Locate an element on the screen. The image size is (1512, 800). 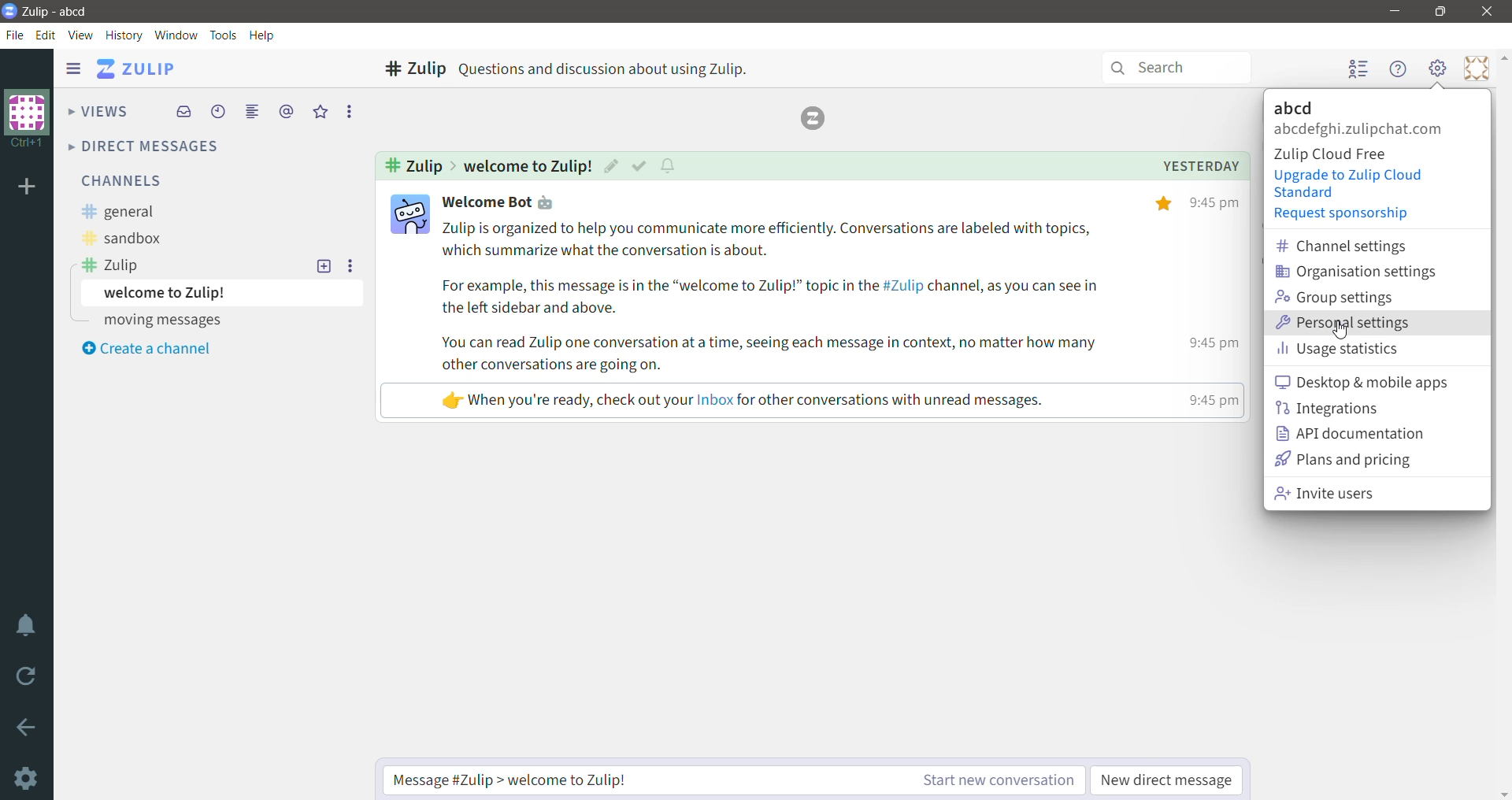
Channel - Zulip is located at coordinates (409, 70).